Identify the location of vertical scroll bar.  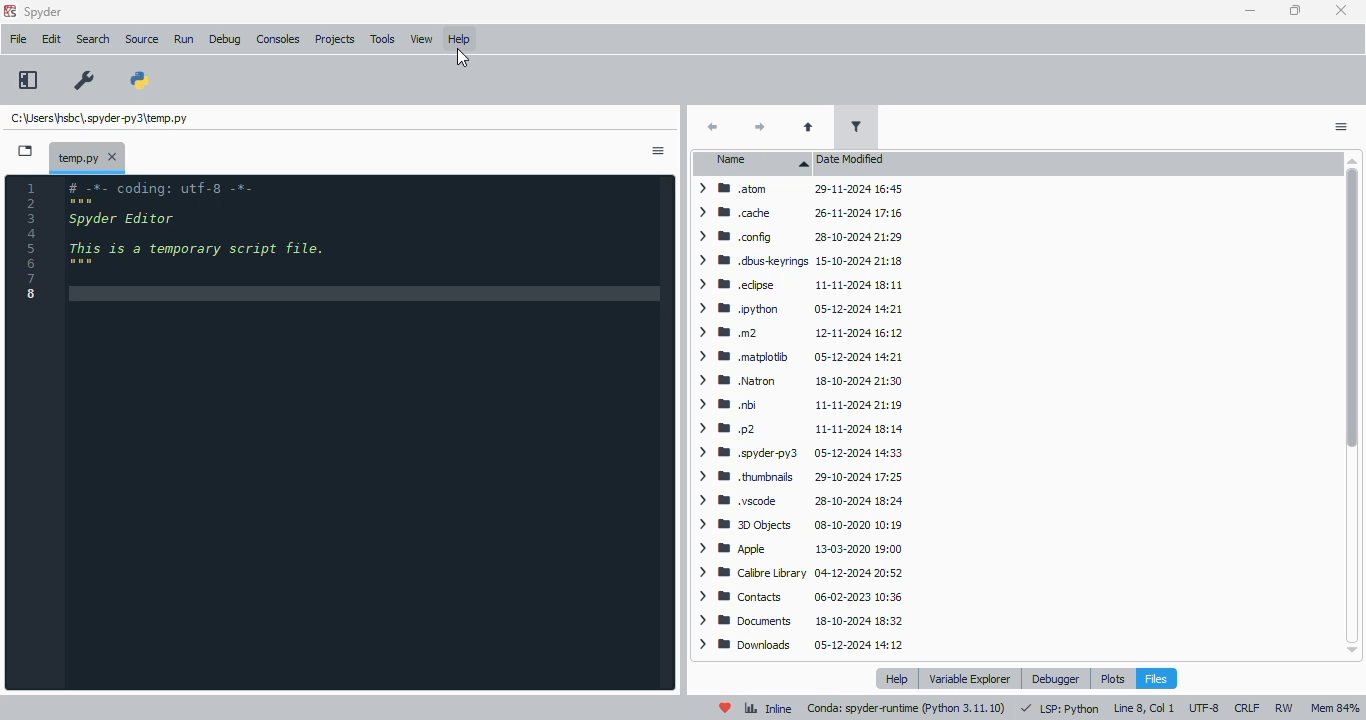
(1349, 409).